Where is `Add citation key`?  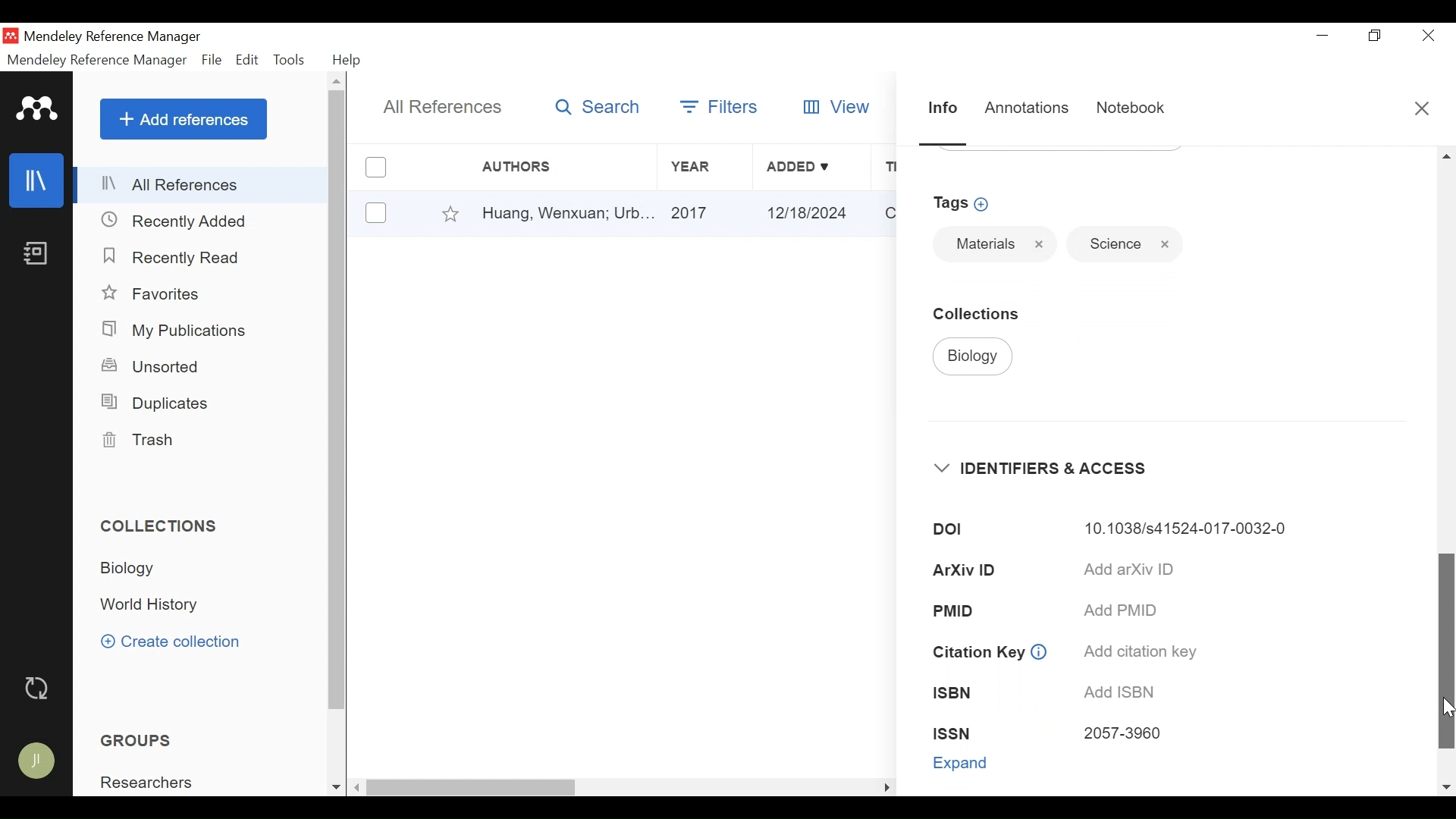 Add citation key is located at coordinates (1141, 651).